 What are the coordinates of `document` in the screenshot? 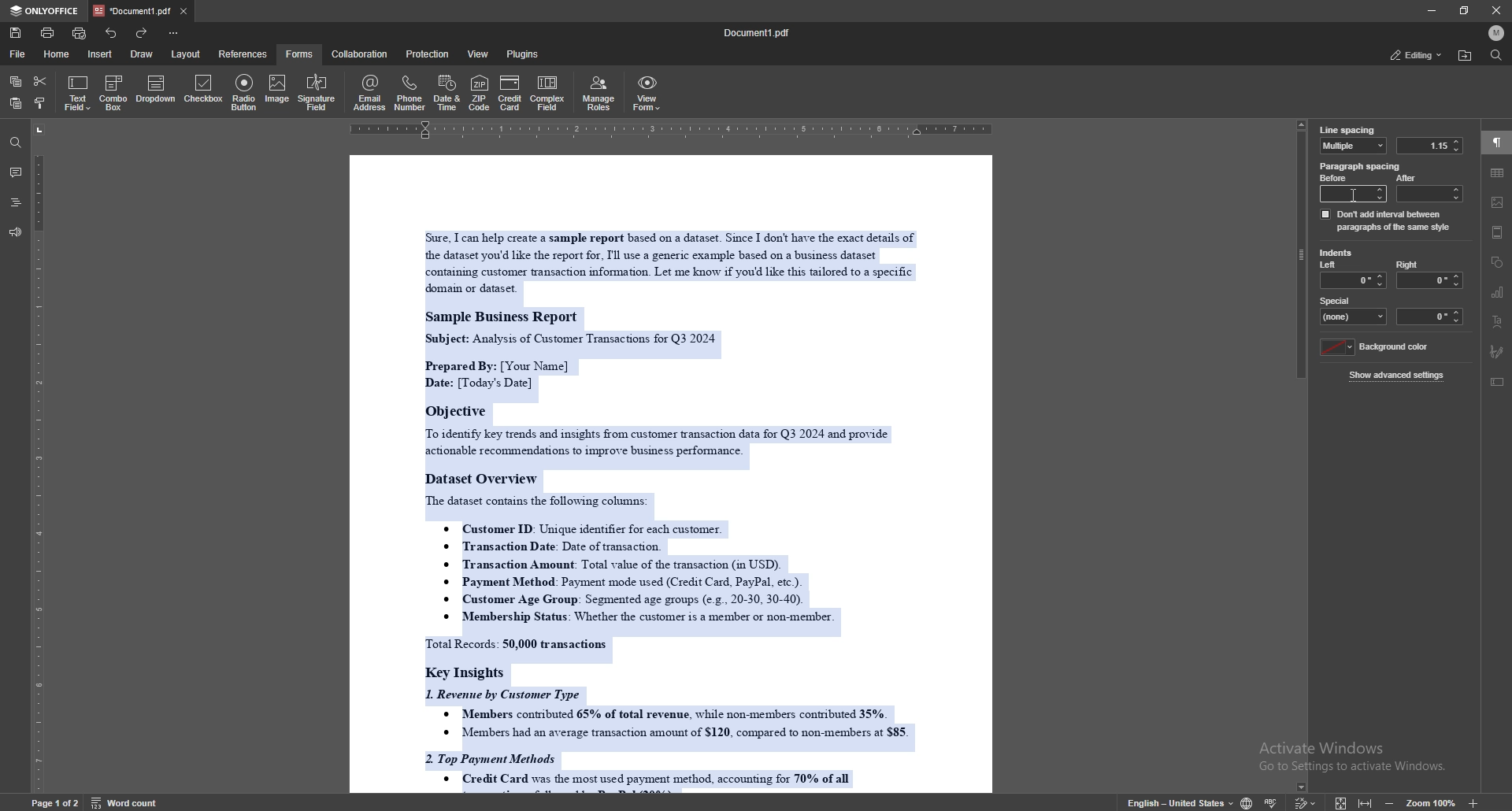 It's located at (668, 476).